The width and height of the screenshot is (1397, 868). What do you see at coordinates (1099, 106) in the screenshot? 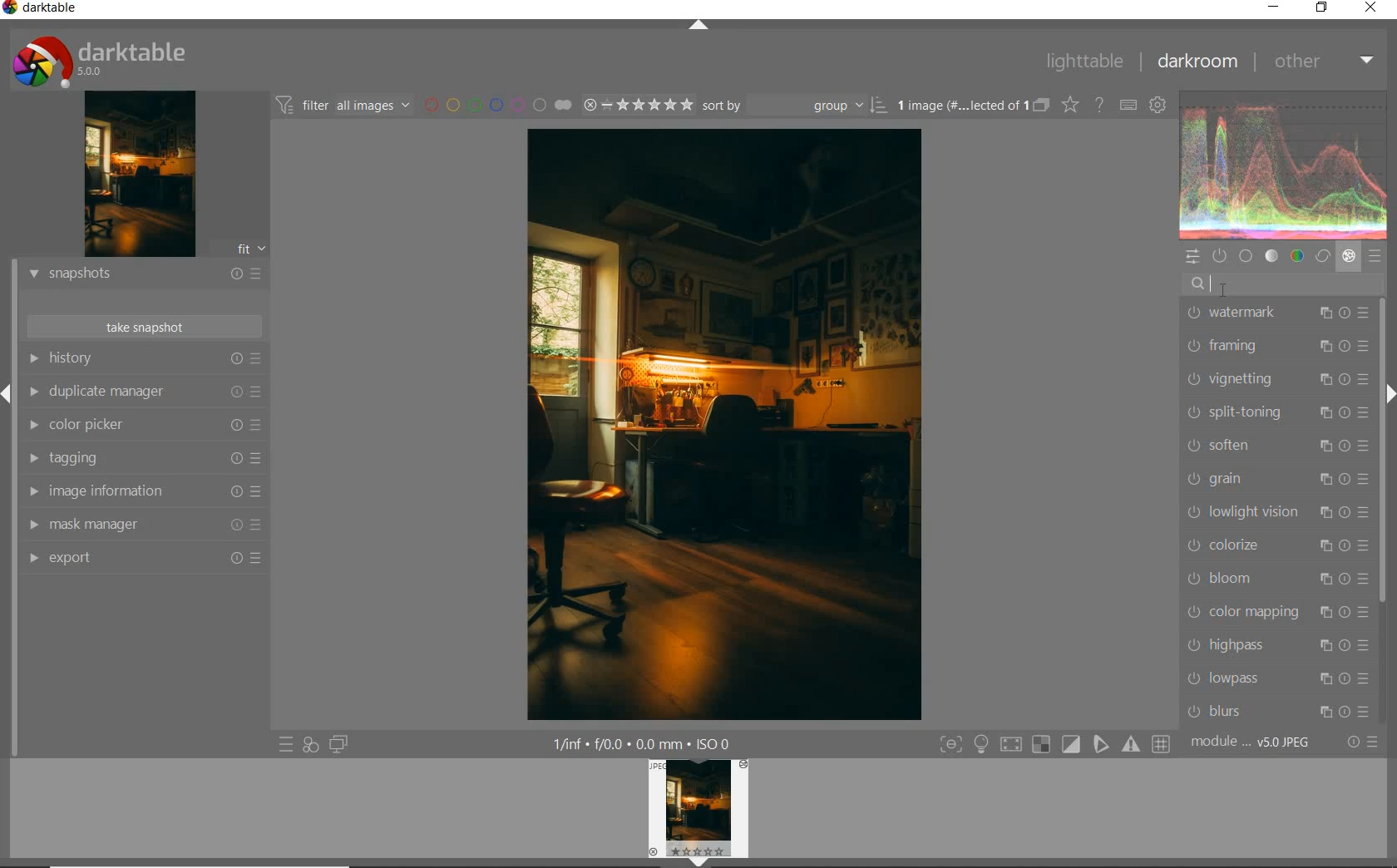
I see `enable online help` at bounding box center [1099, 106].